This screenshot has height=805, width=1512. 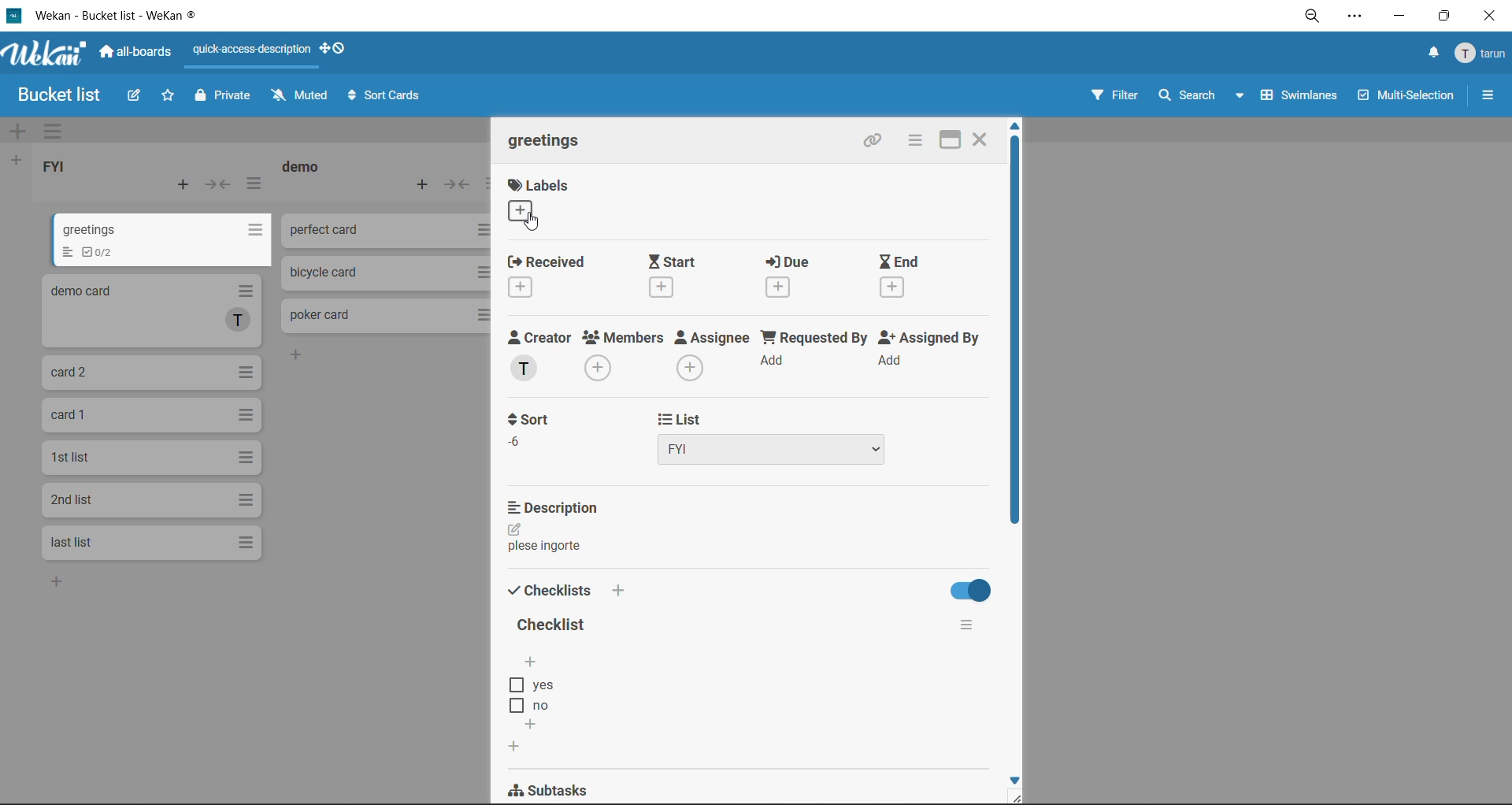 What do you see at coordinates (109, 16) in the screenshot?
I see `app title` at bounding box center [109, 16].